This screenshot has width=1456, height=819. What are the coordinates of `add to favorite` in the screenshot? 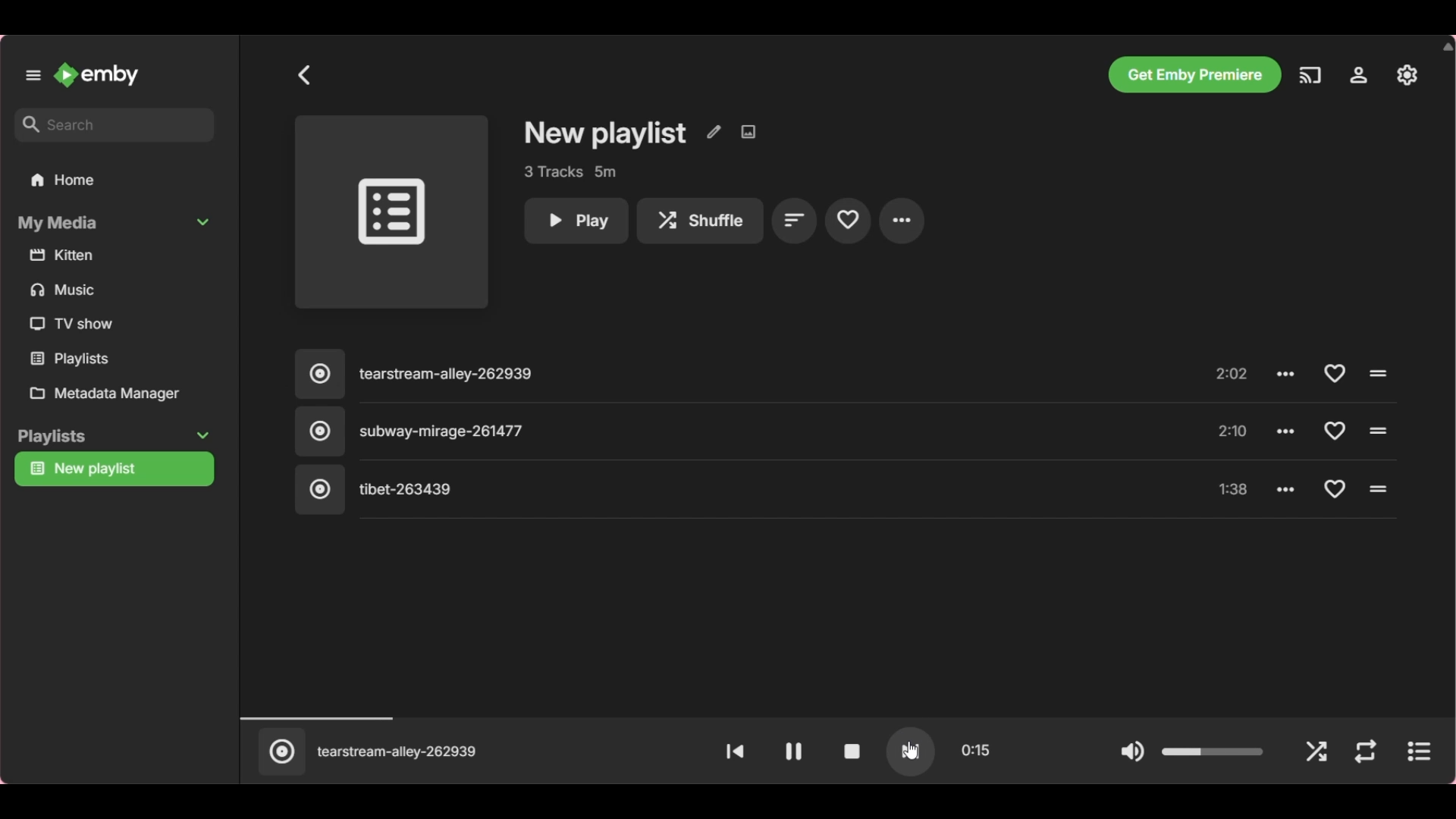 It's located at (1332, 373).